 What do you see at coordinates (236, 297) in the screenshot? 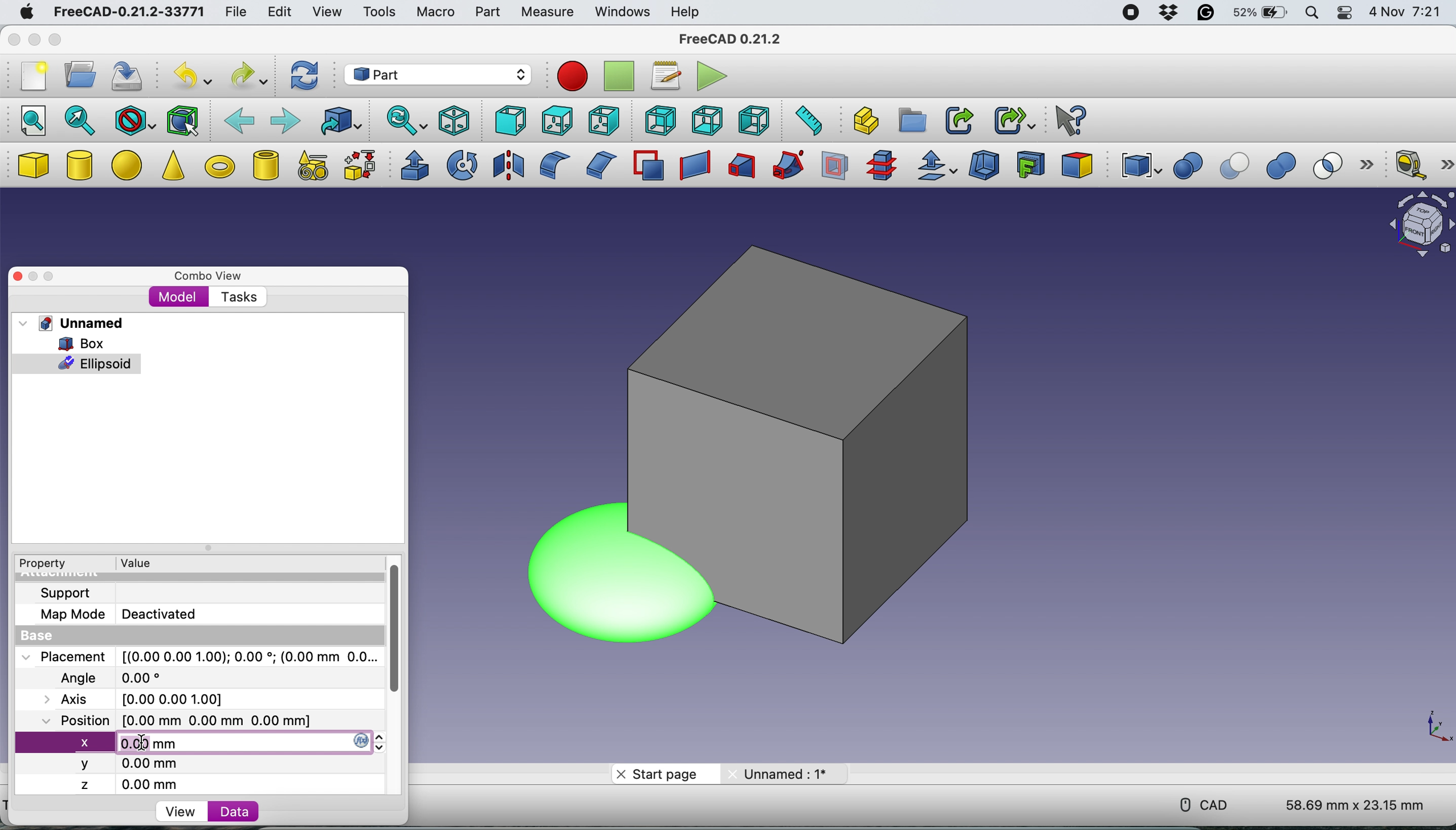
I see `tasks` at bounding box center [236, 297].